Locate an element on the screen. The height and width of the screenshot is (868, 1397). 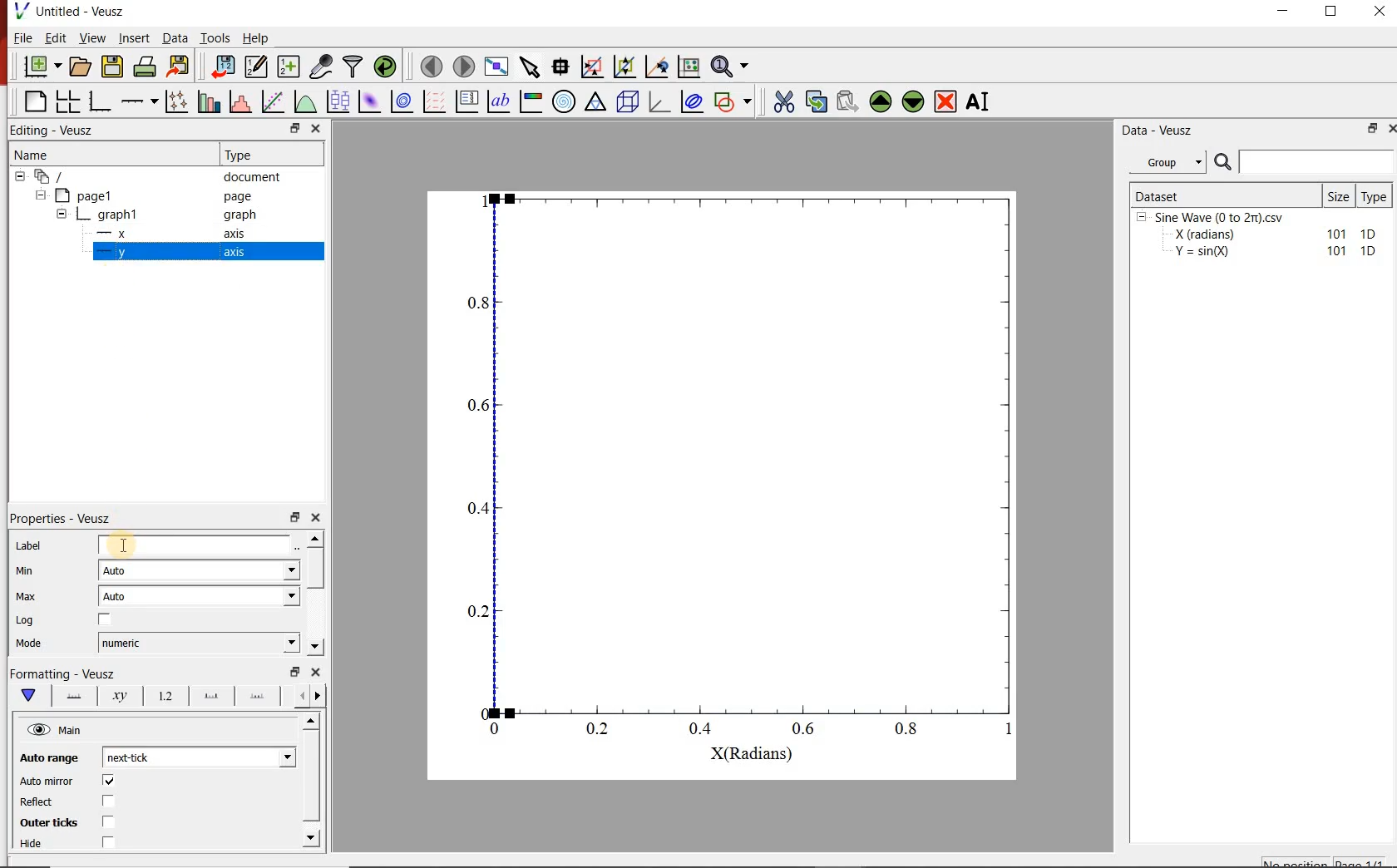
save document is located at coordinates (112, 67).